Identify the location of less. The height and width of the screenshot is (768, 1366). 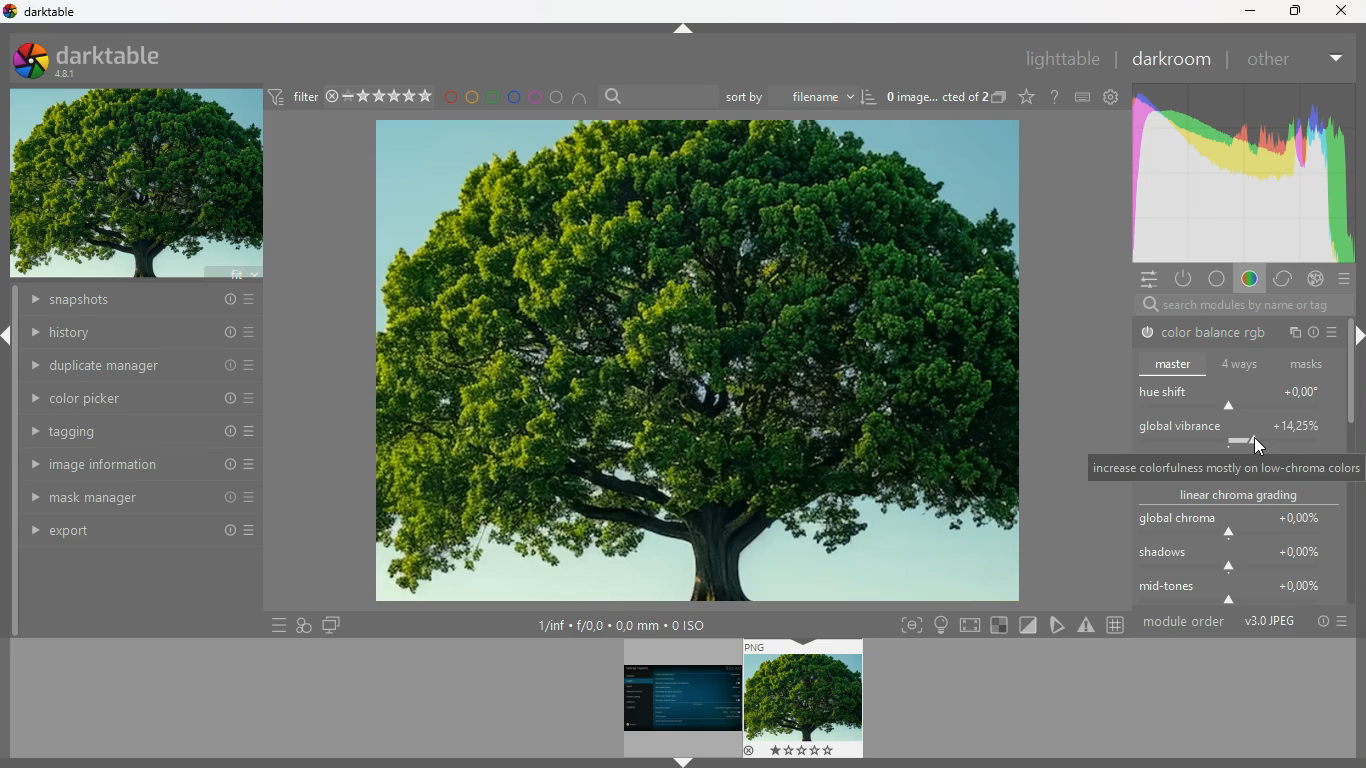
(1333, 55).